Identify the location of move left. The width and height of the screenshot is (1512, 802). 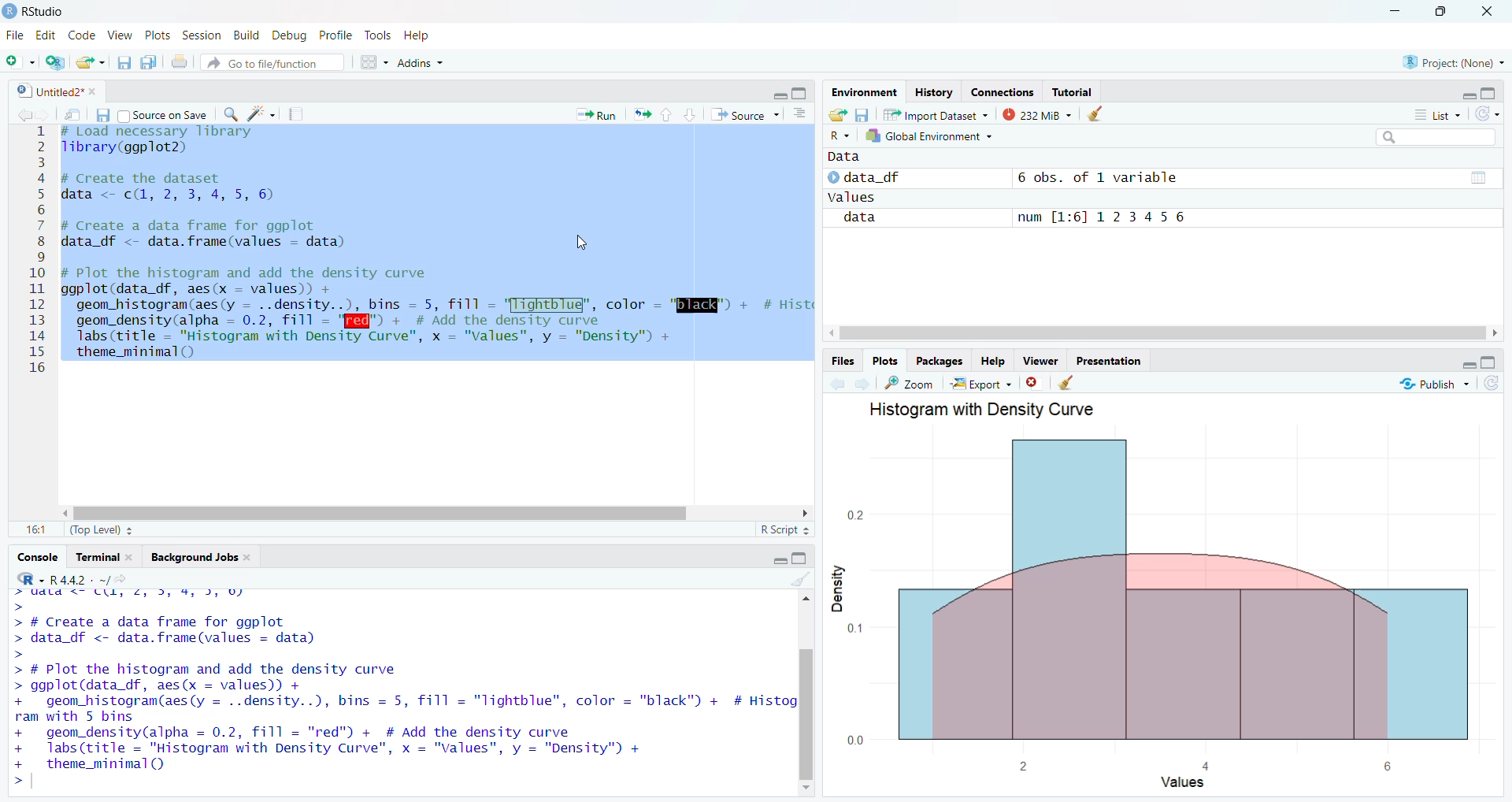
(1495, 332).